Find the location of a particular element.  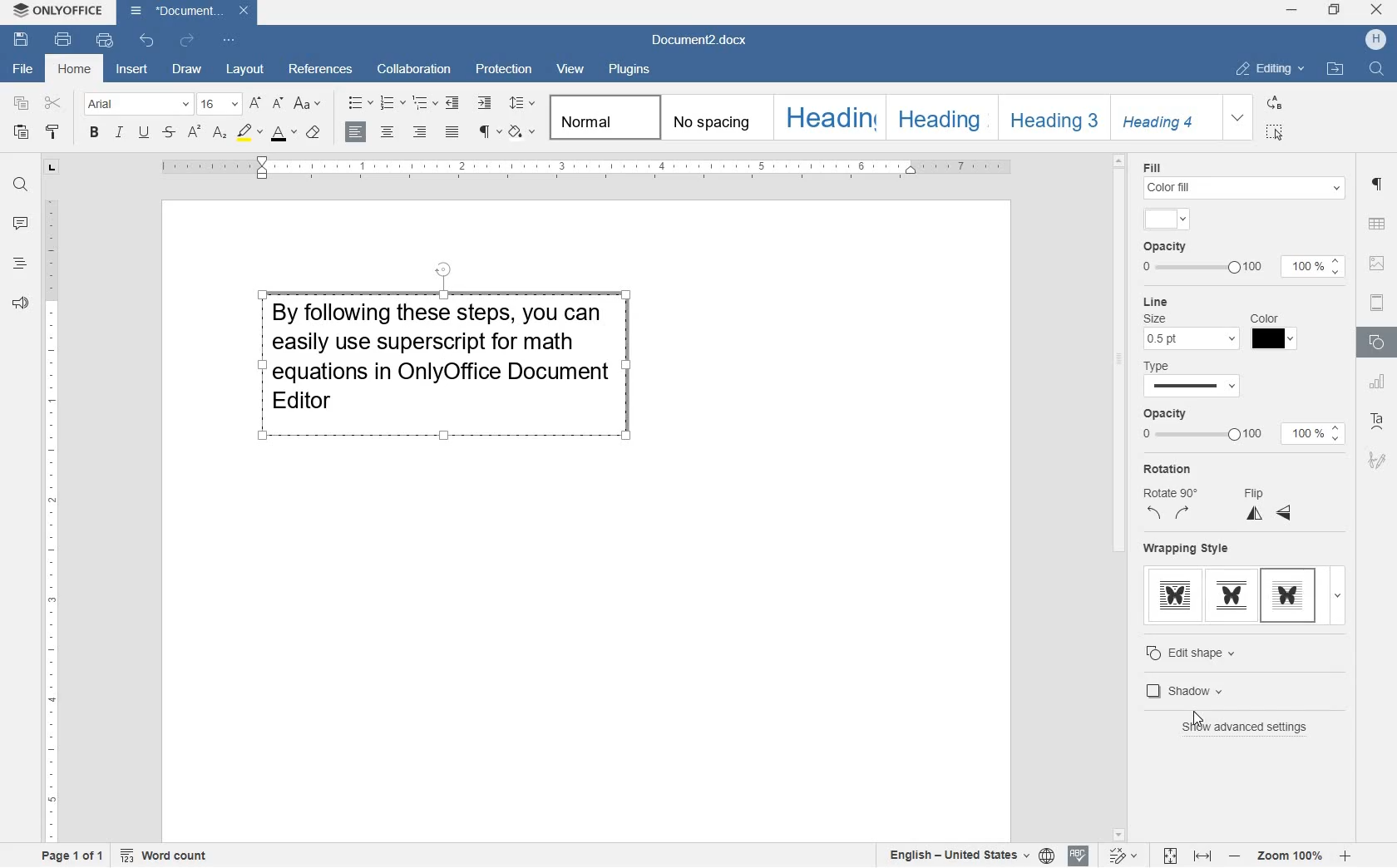

cut is located at coordinates (52, 103).